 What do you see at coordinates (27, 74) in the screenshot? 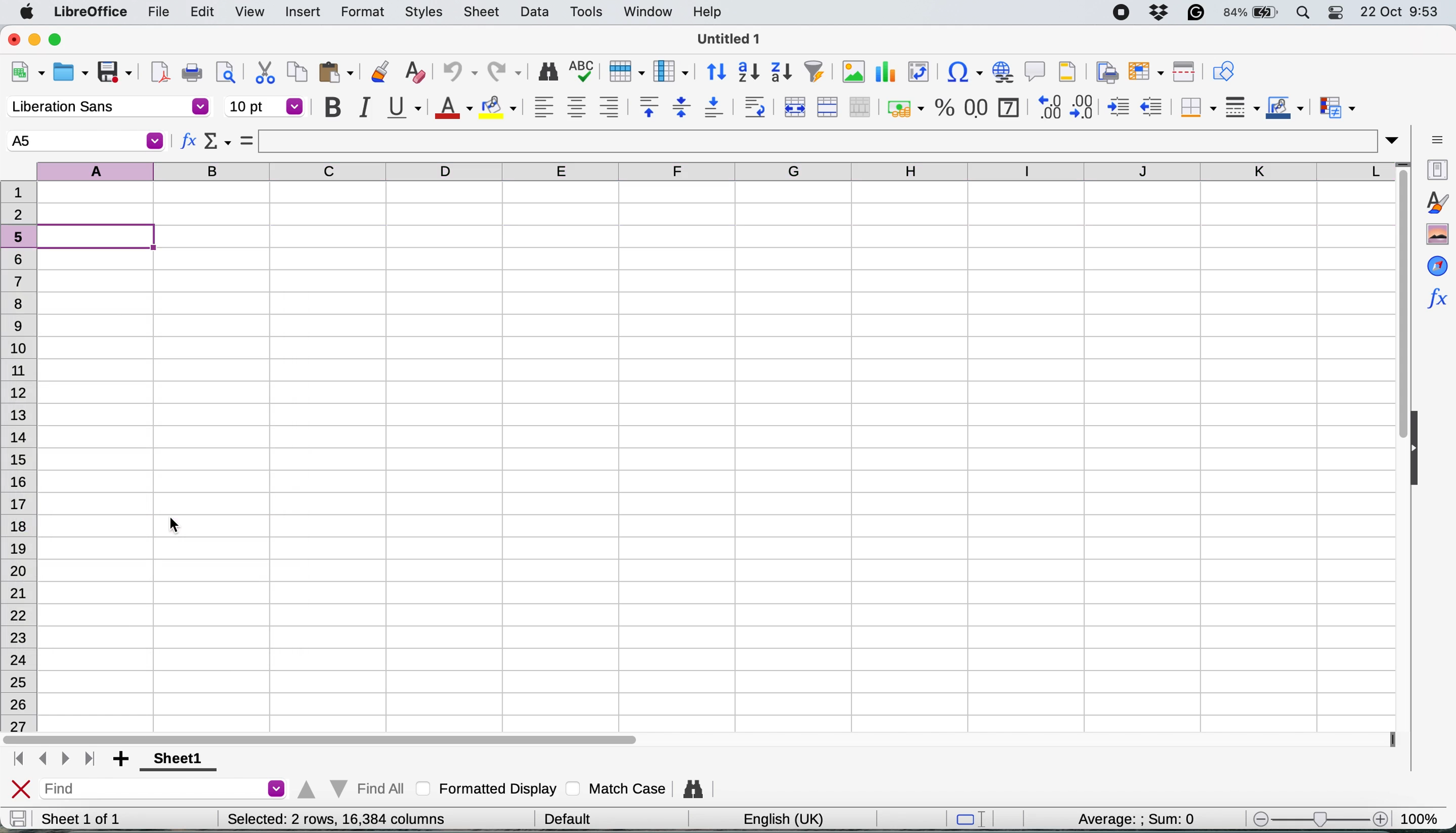
I see `new` at bounding box center [27, 74].